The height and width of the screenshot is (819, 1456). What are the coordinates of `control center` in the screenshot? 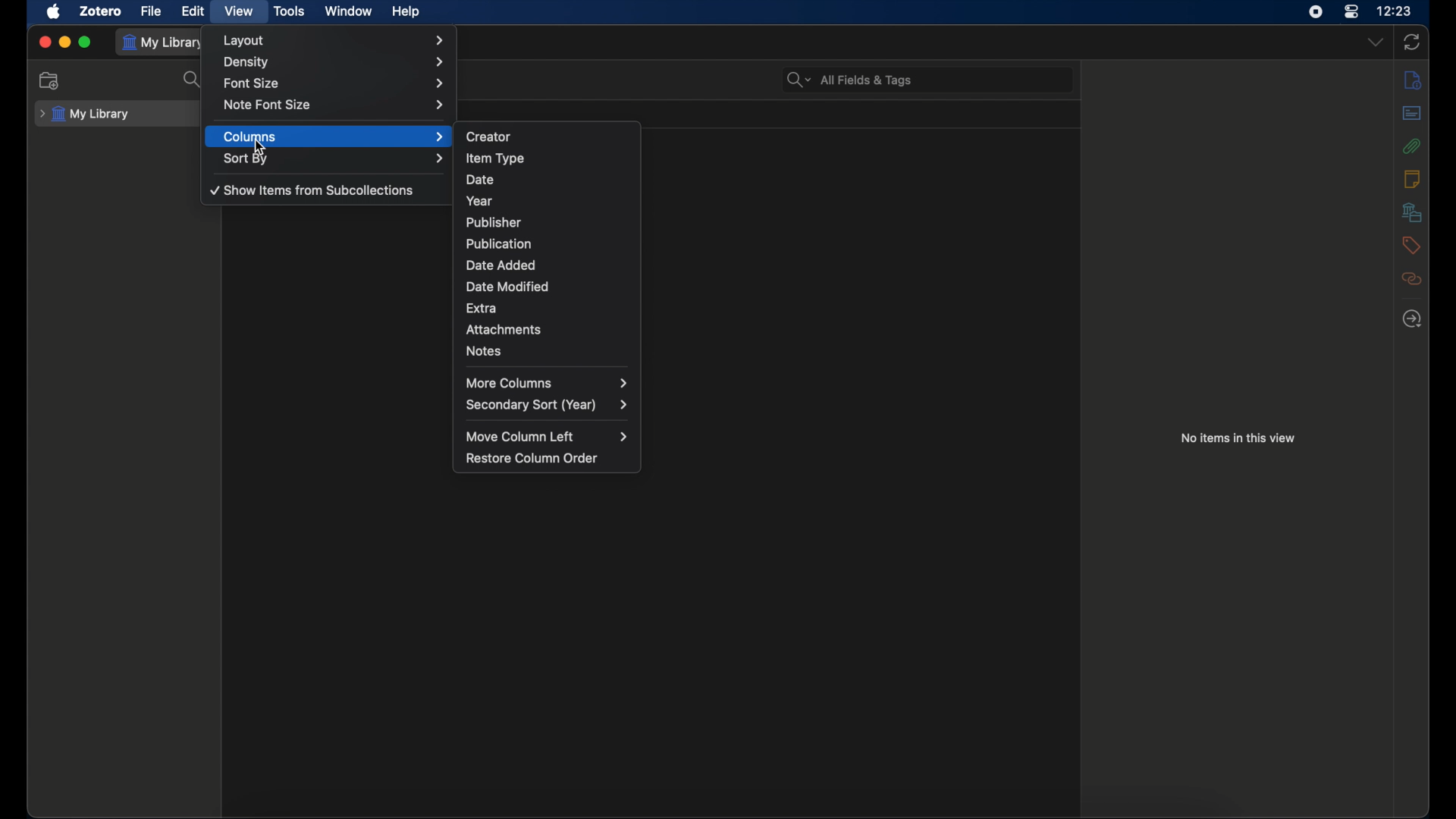 It's located at (1351, 12).